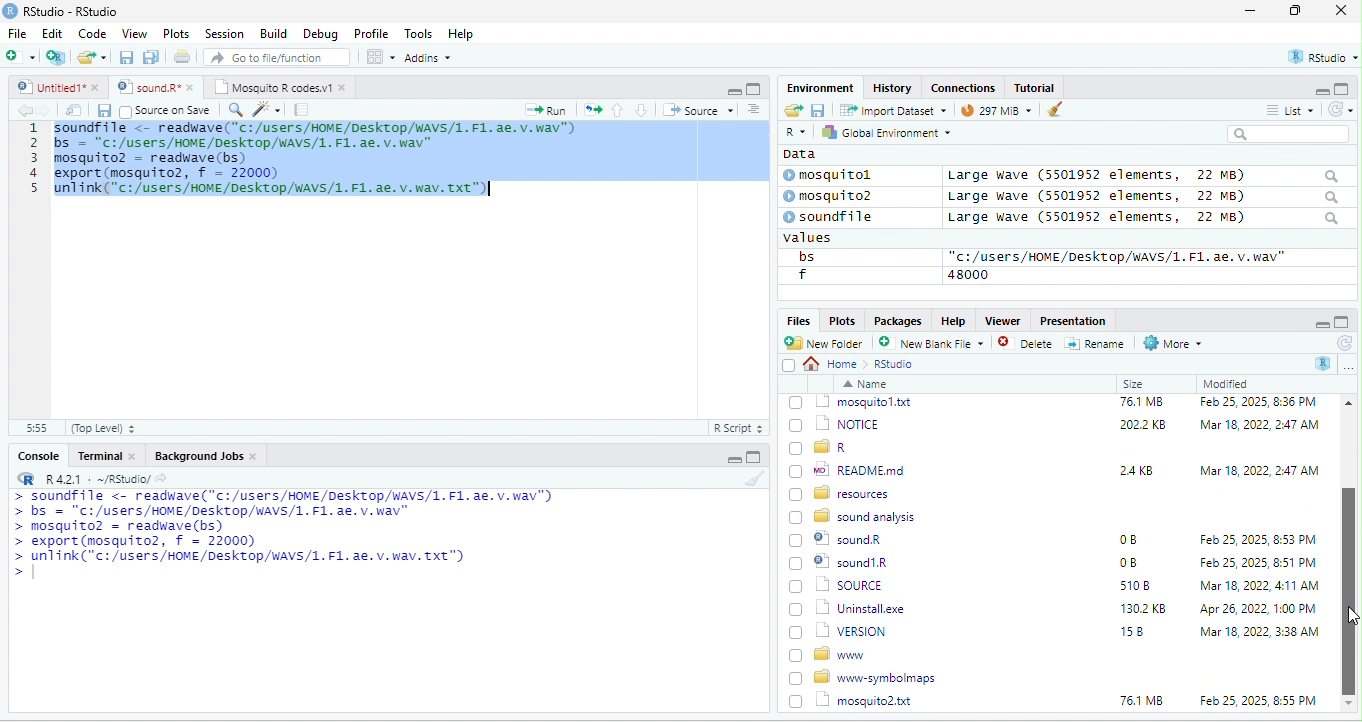 This screenshot has width=1362, height=722. I want to click on Console, so click(37, 454).